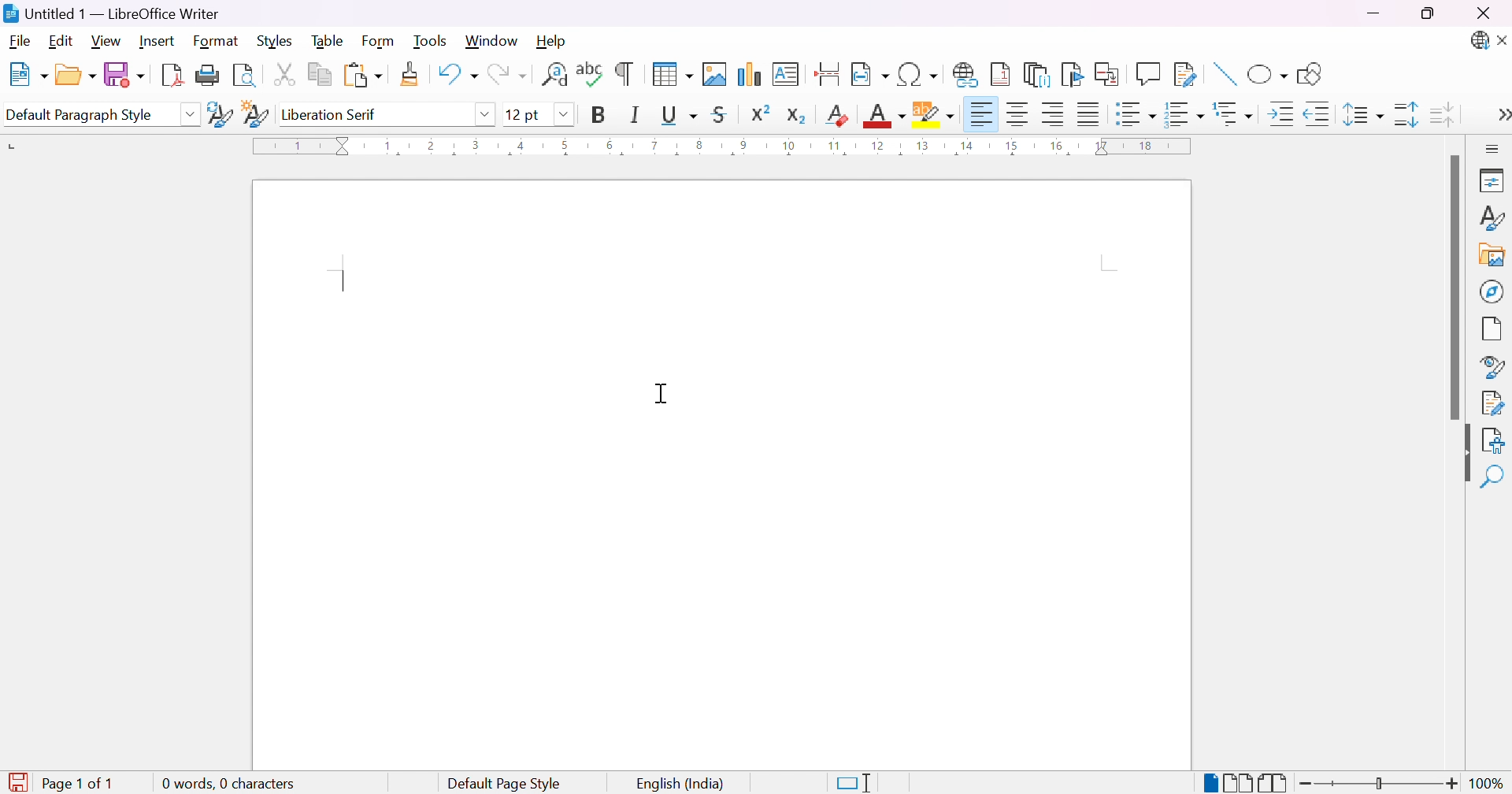 This screenshot has height=794, width=1512. What do you see at coordinates (332, 114) in the screenshot?
I see `Liberation serif` at bounding box center [332, 114].